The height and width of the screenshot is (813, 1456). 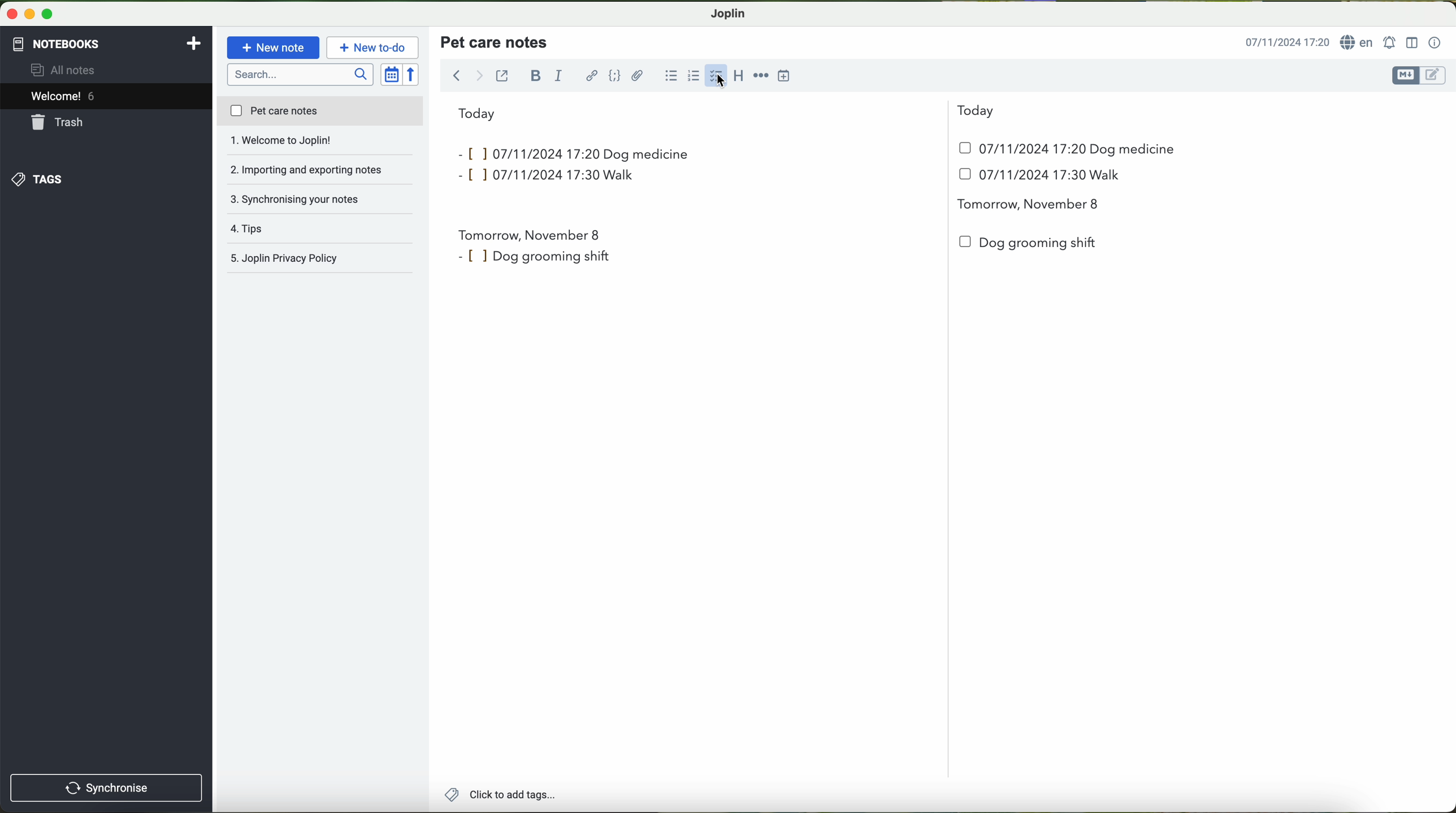 I want to click on trash, so click(x=58, y=124).